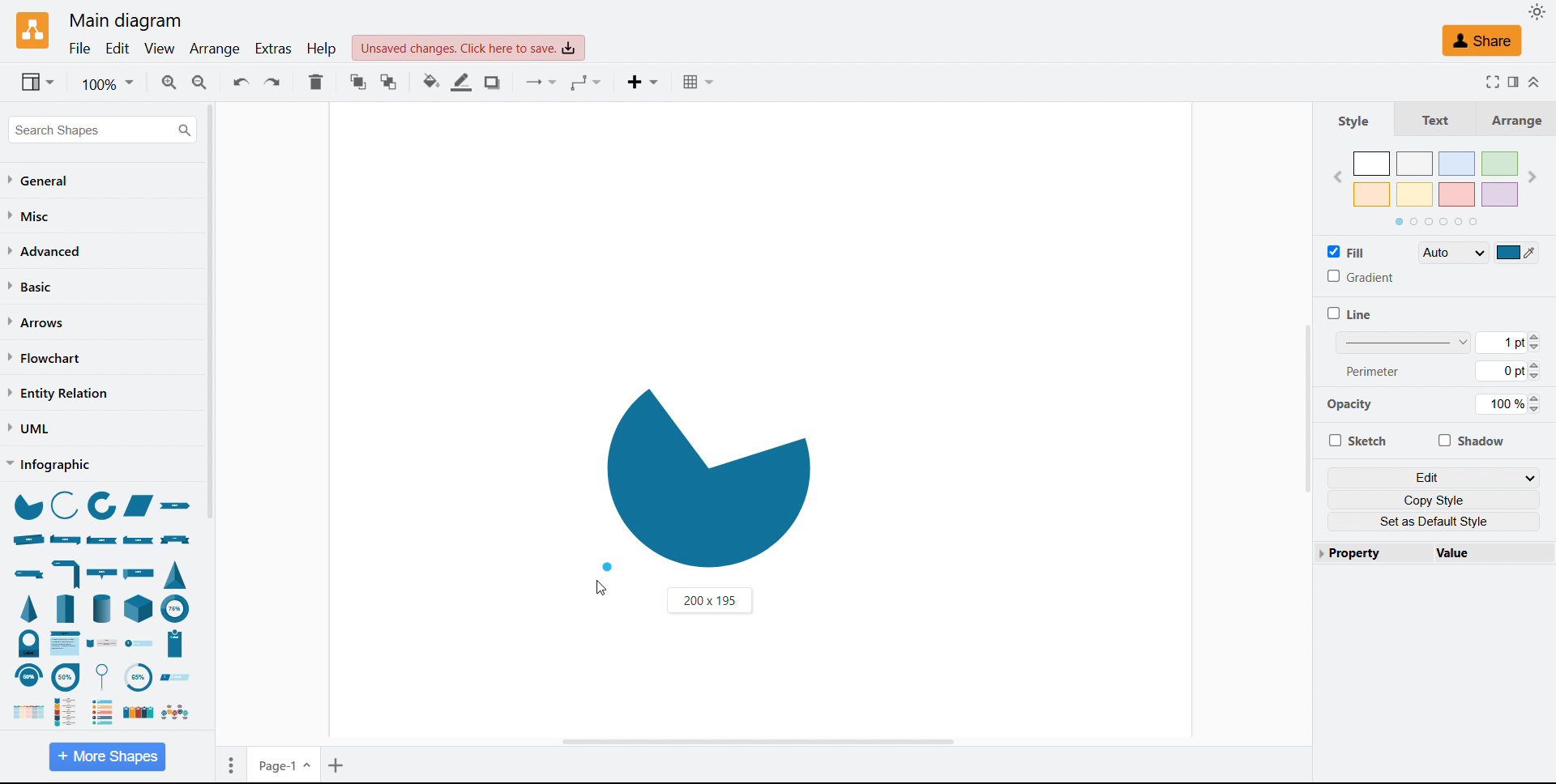 This screenshot has height=784, width=1556. Describe the element at coordinates (709, 600) in the screenshot. I see `Shape dimensions` at that location.